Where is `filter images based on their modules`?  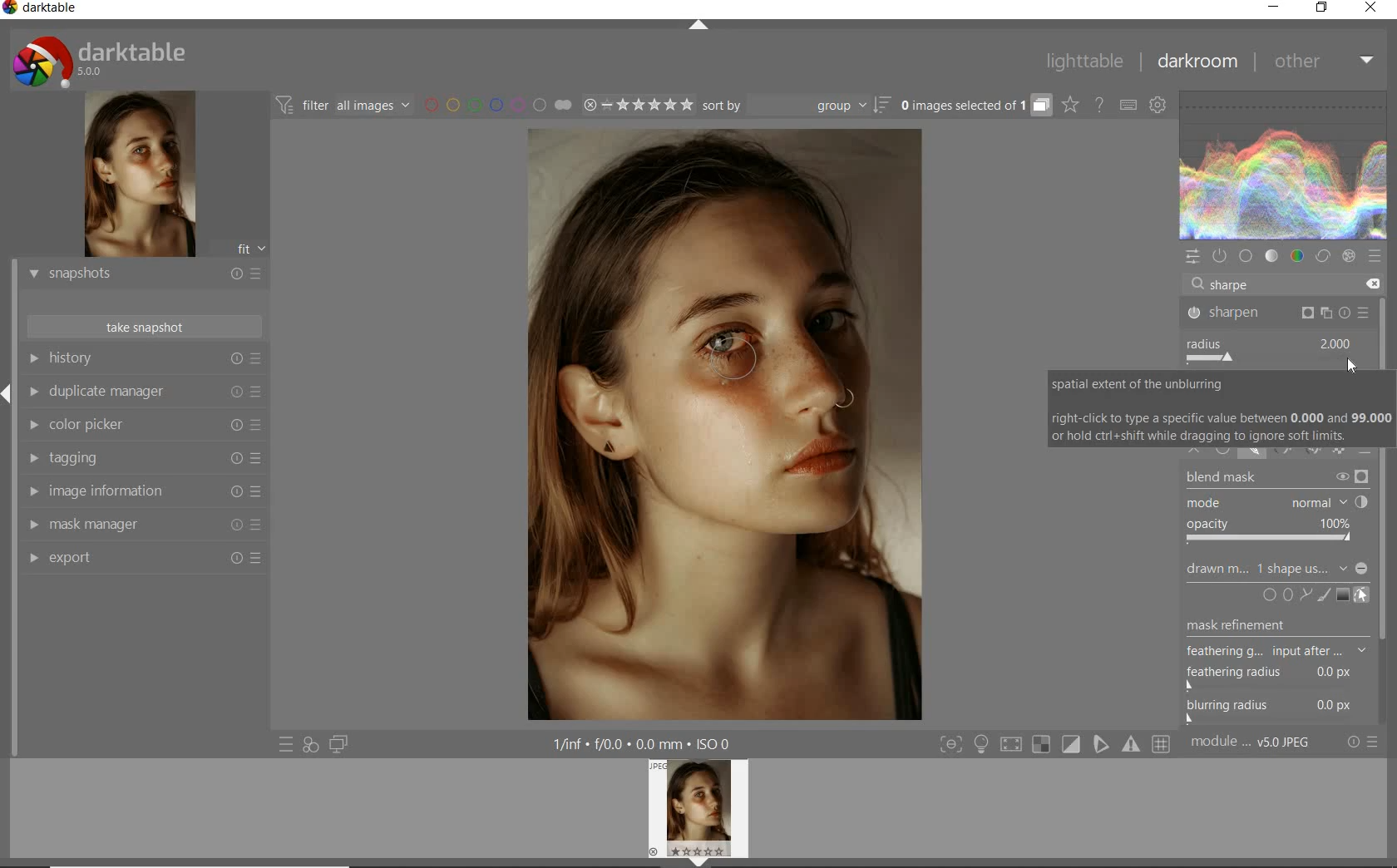
filter images based on their modules is located at coordinates (341, 104).